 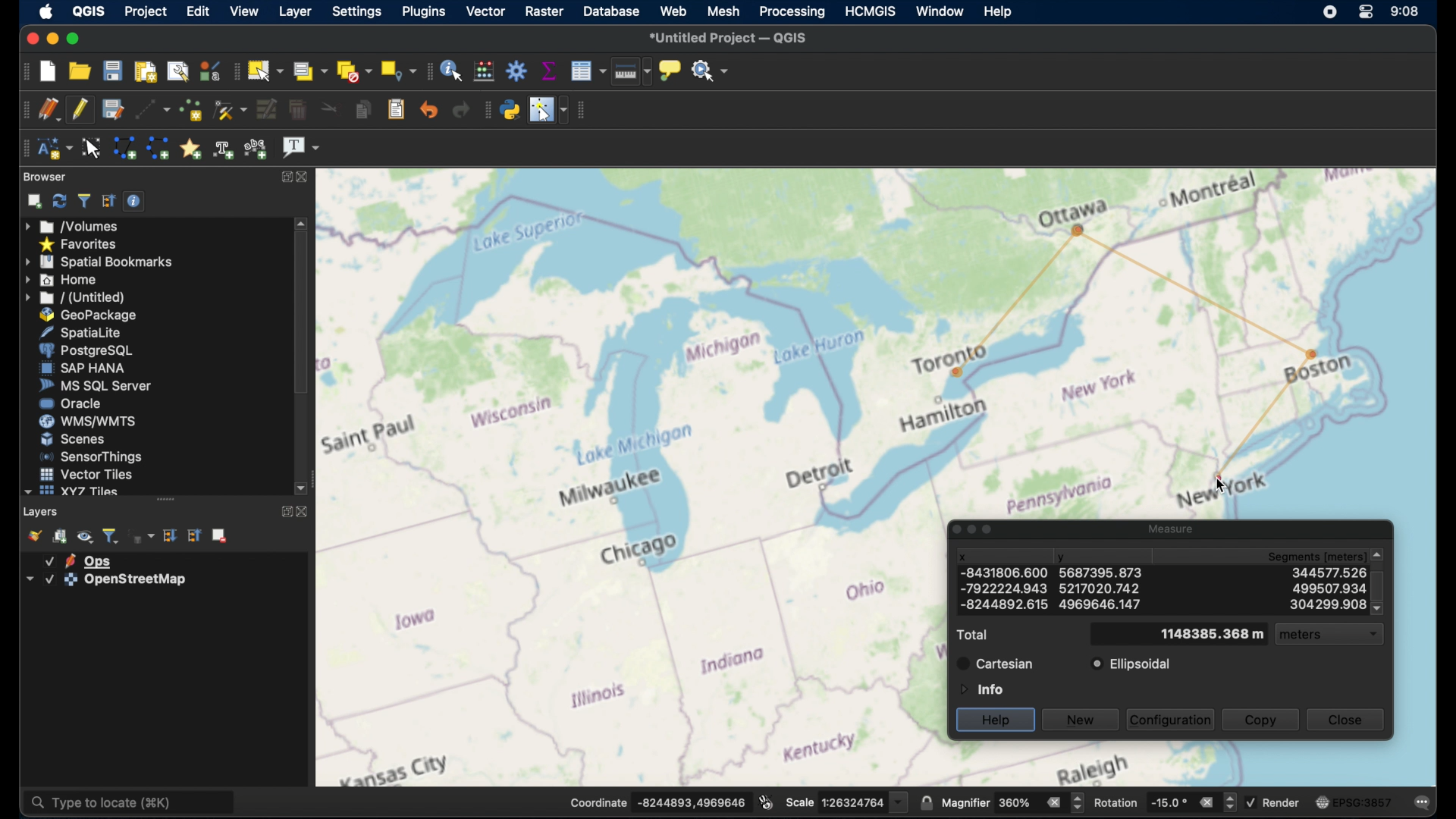 I want to click on coordinate, so click(x=656, y=801).